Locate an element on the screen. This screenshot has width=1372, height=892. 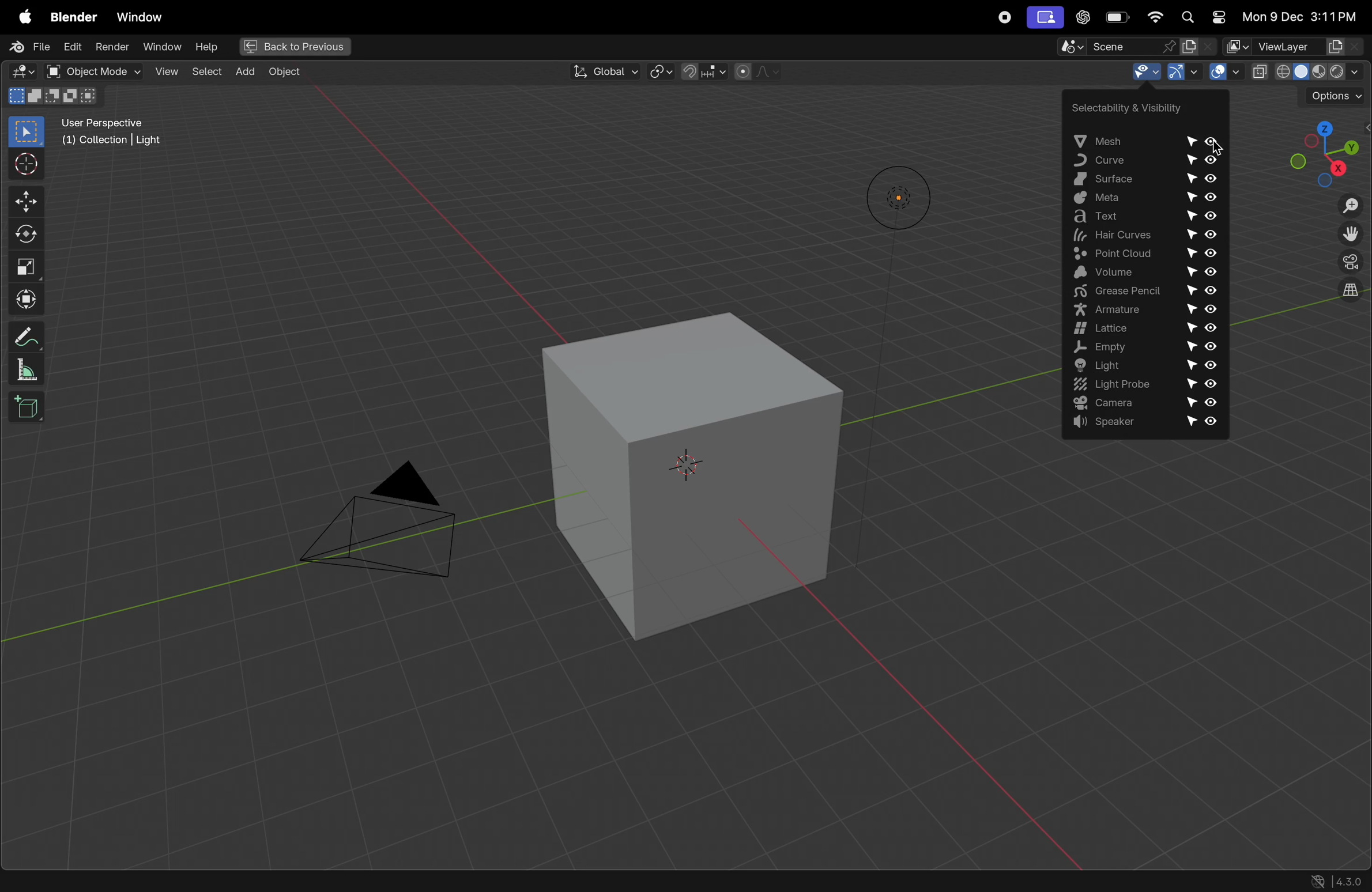
surface is located at coordinates (1141, 180).